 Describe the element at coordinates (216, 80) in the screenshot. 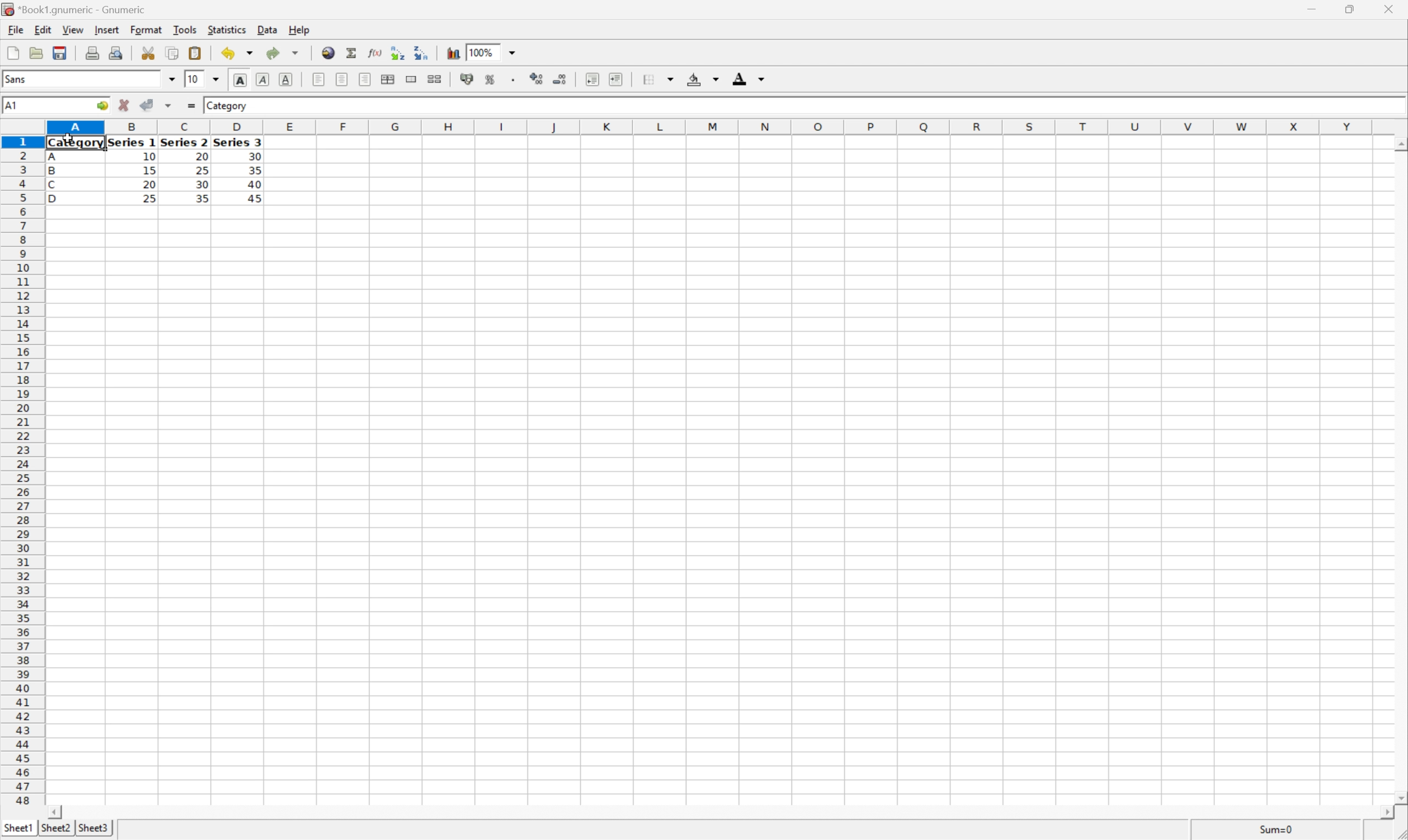

I see `Drop Down` at that location.